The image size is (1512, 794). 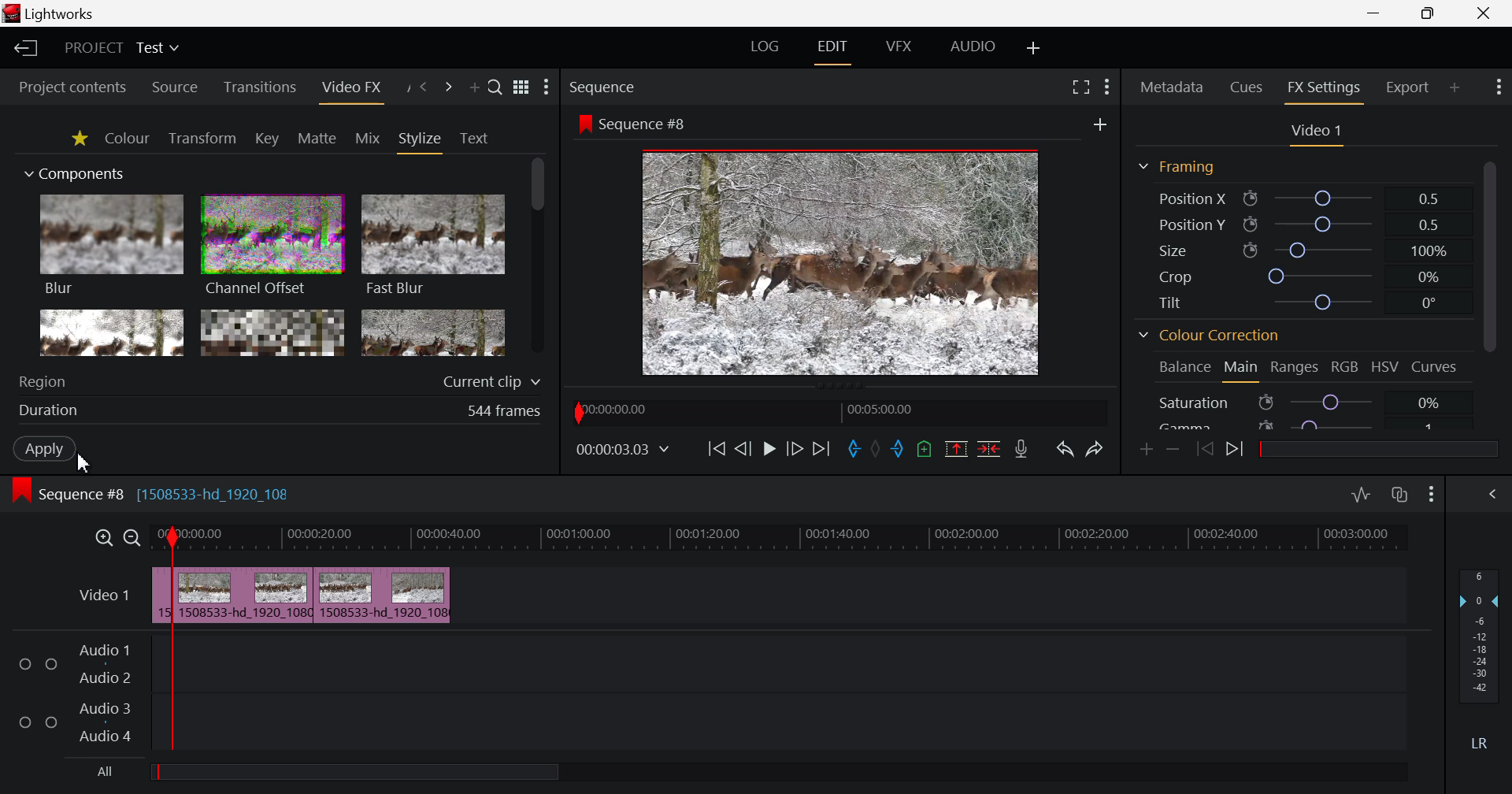 What do you see at coordinates (769, 454) in the screenshot?
I see `Video Played` at bounding box center [769, 454].